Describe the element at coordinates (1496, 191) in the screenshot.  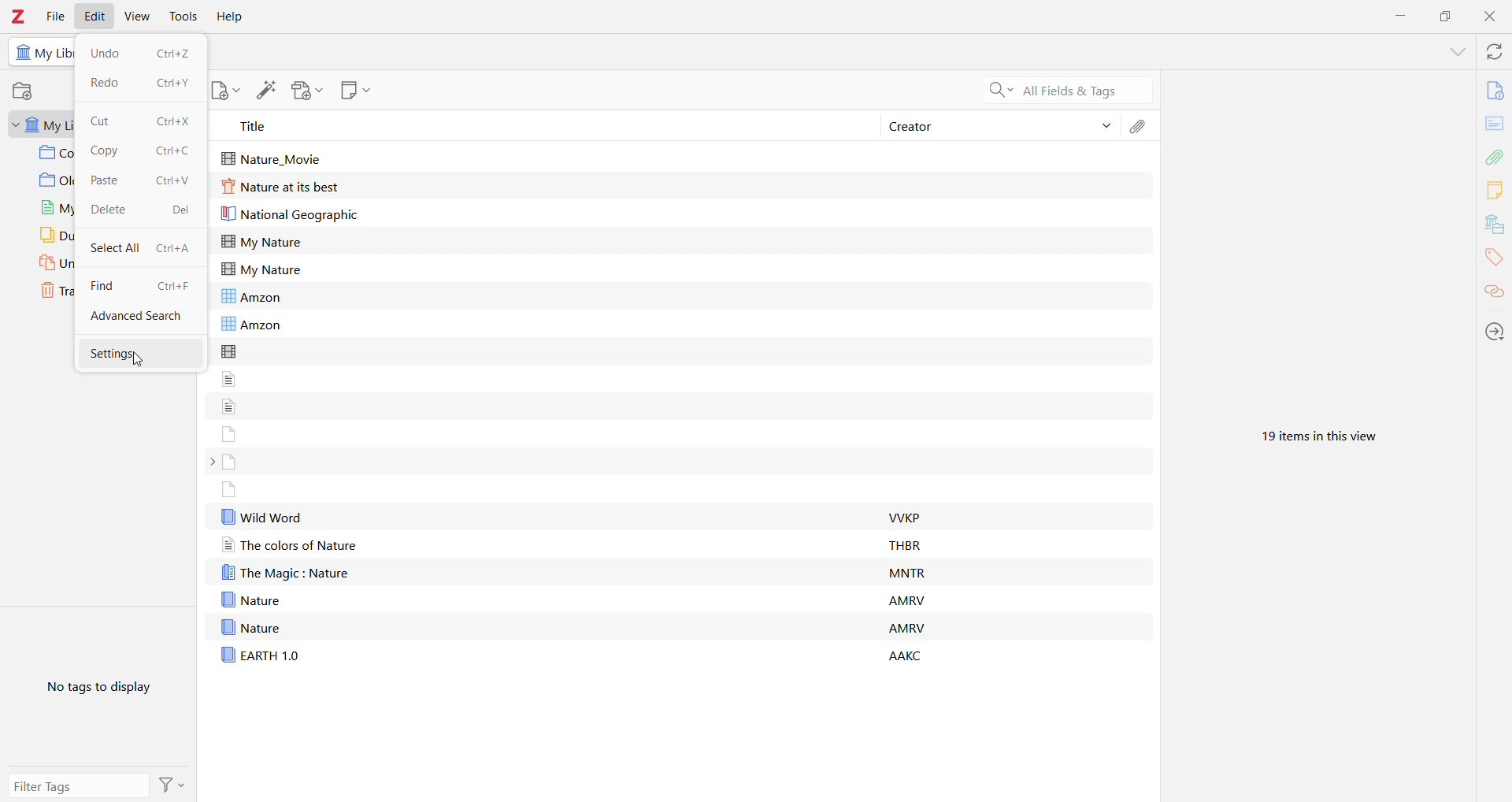
I see `Notes` at that location.